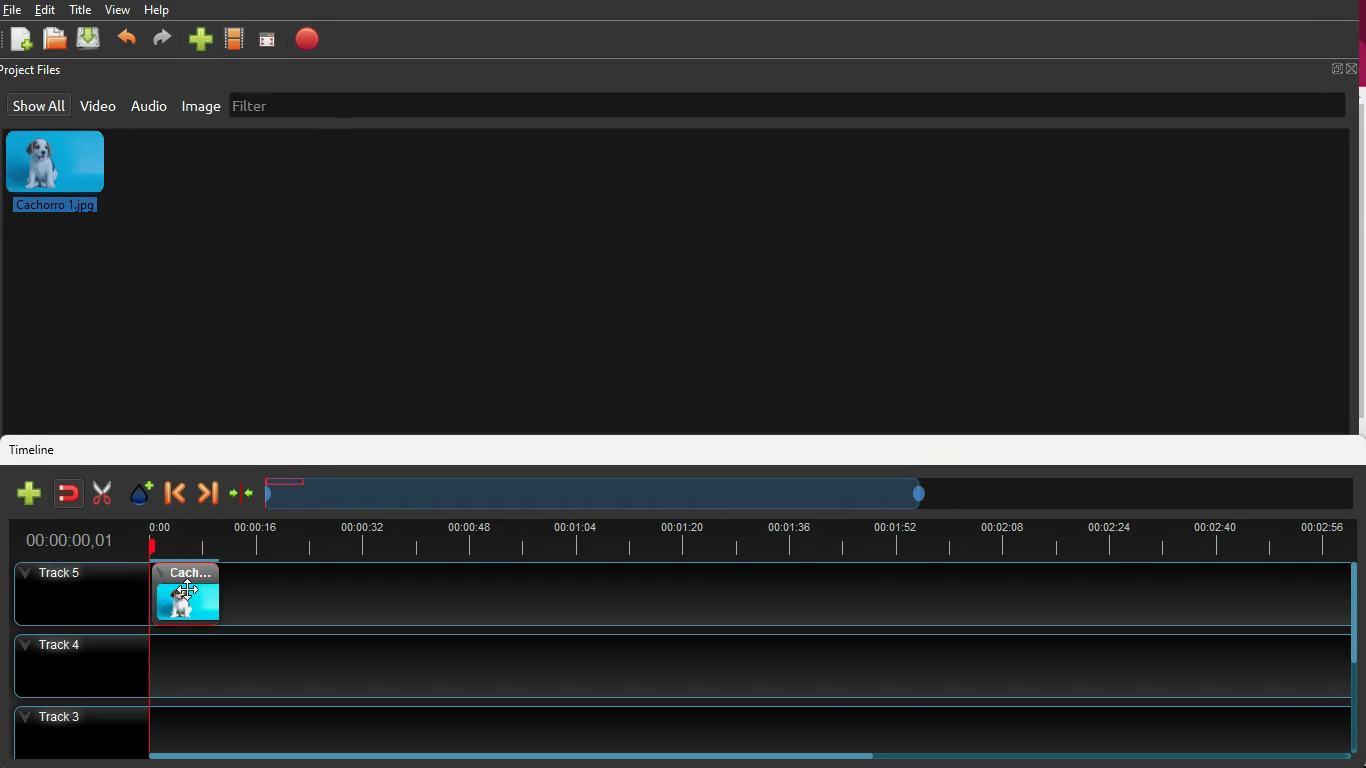 This screenshot has width=1366, height=768. I want to click on forward, so click(163, 40).